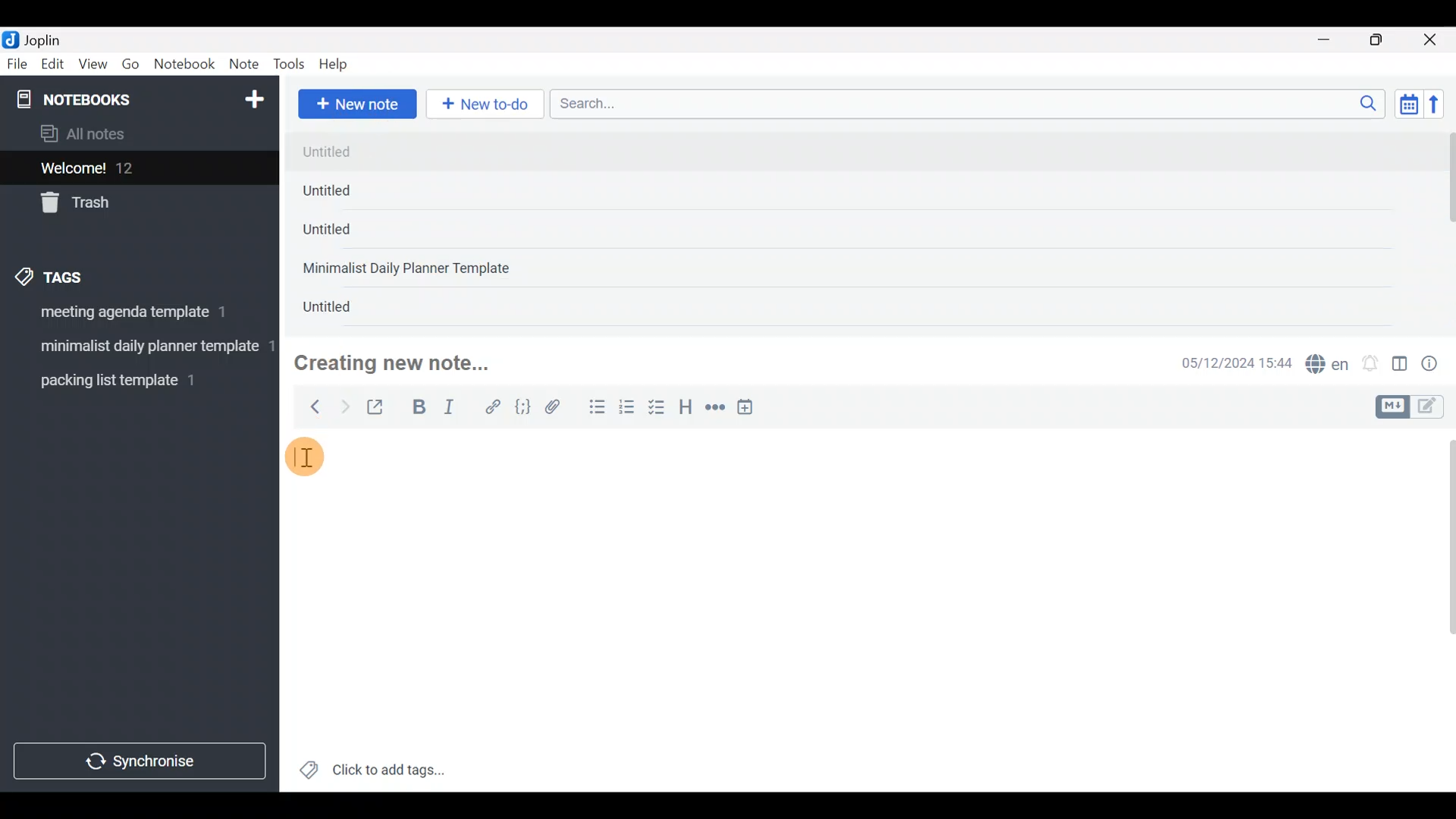 The height and width of the screenshot is (819, 1456). What do you see at coordinates (137, 169) in the screenshot?
I see `Welcome!` at bounding box center [137, 169].